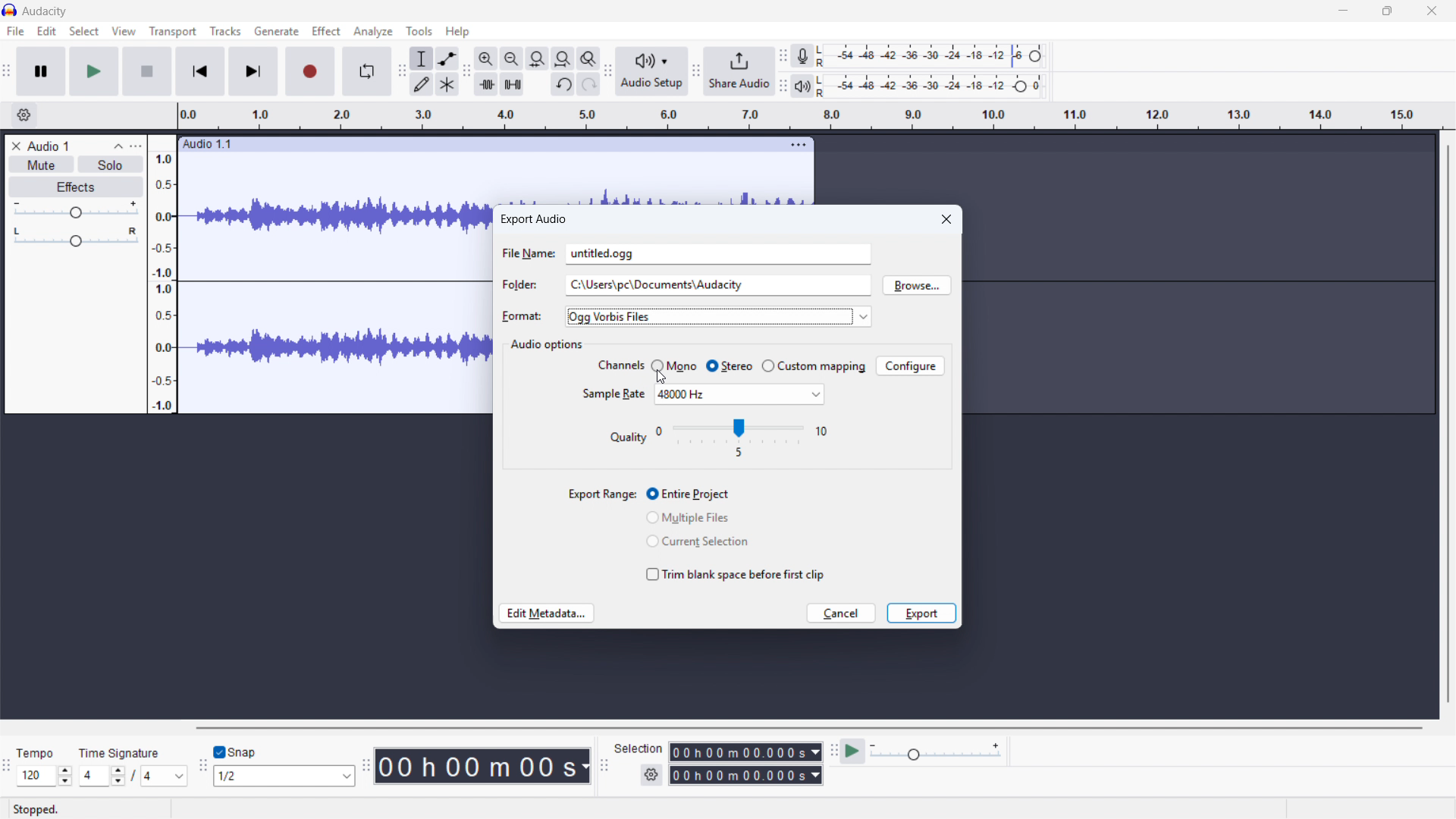 The image size is (1456, 819). What do you see at coordinates (935, 752) in the screenshot?
I see `Playback speed` at bounding box center [935, 752].